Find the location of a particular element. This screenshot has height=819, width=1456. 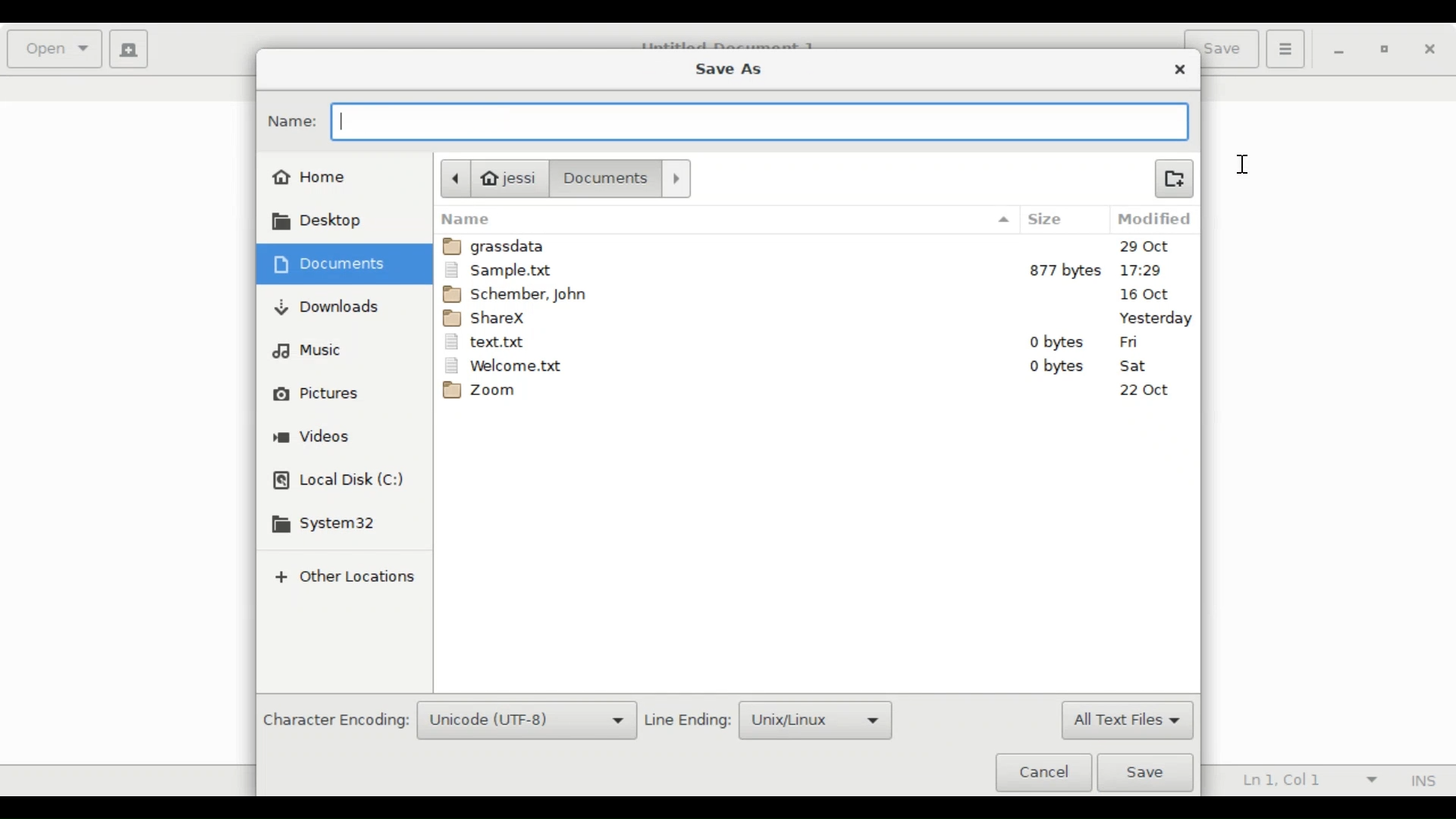

Save As is located at coordinates (727, 67).